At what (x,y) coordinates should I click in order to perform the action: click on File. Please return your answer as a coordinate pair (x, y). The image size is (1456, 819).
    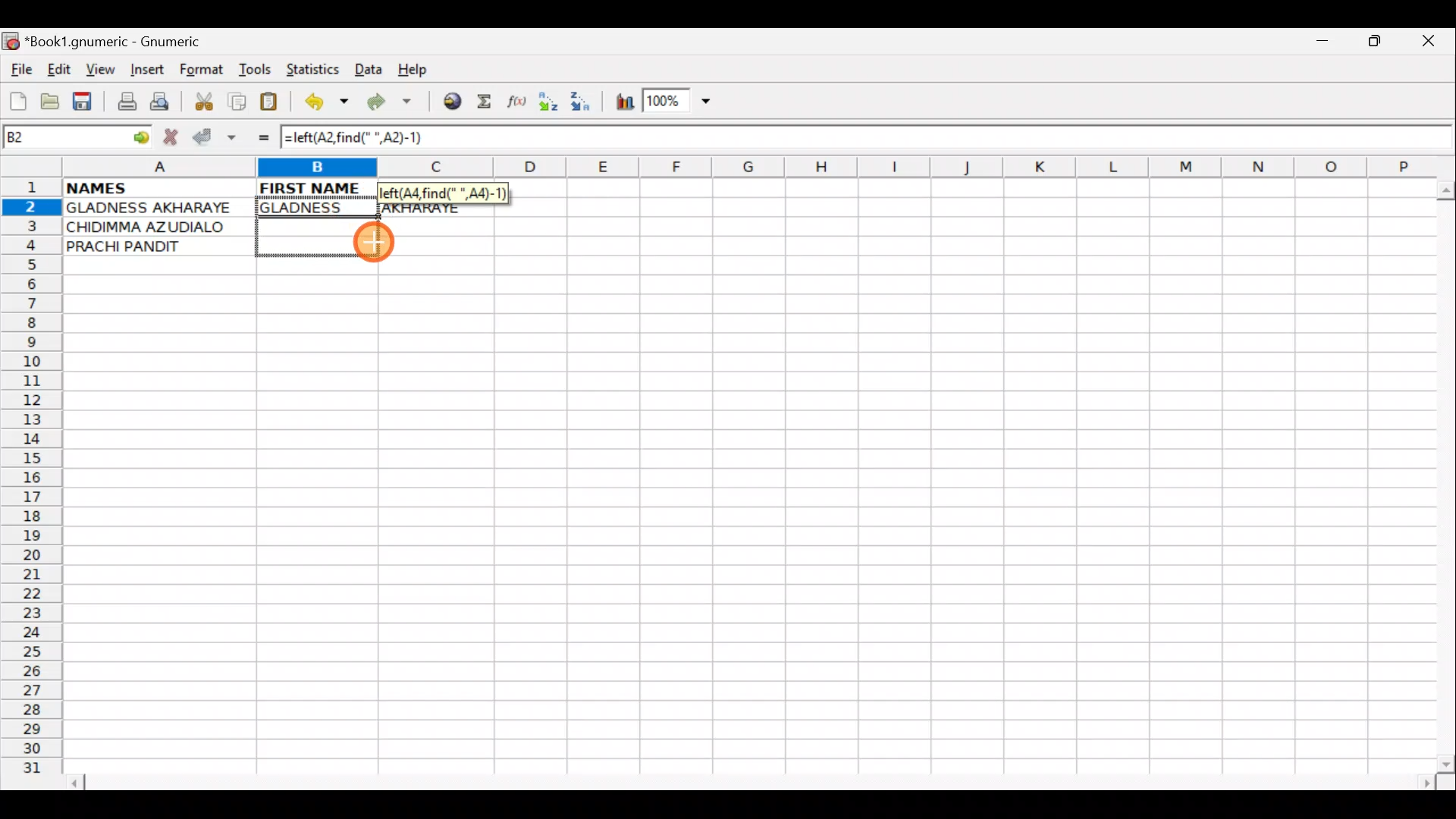
    Looking at the image, I should click on (20, 71).